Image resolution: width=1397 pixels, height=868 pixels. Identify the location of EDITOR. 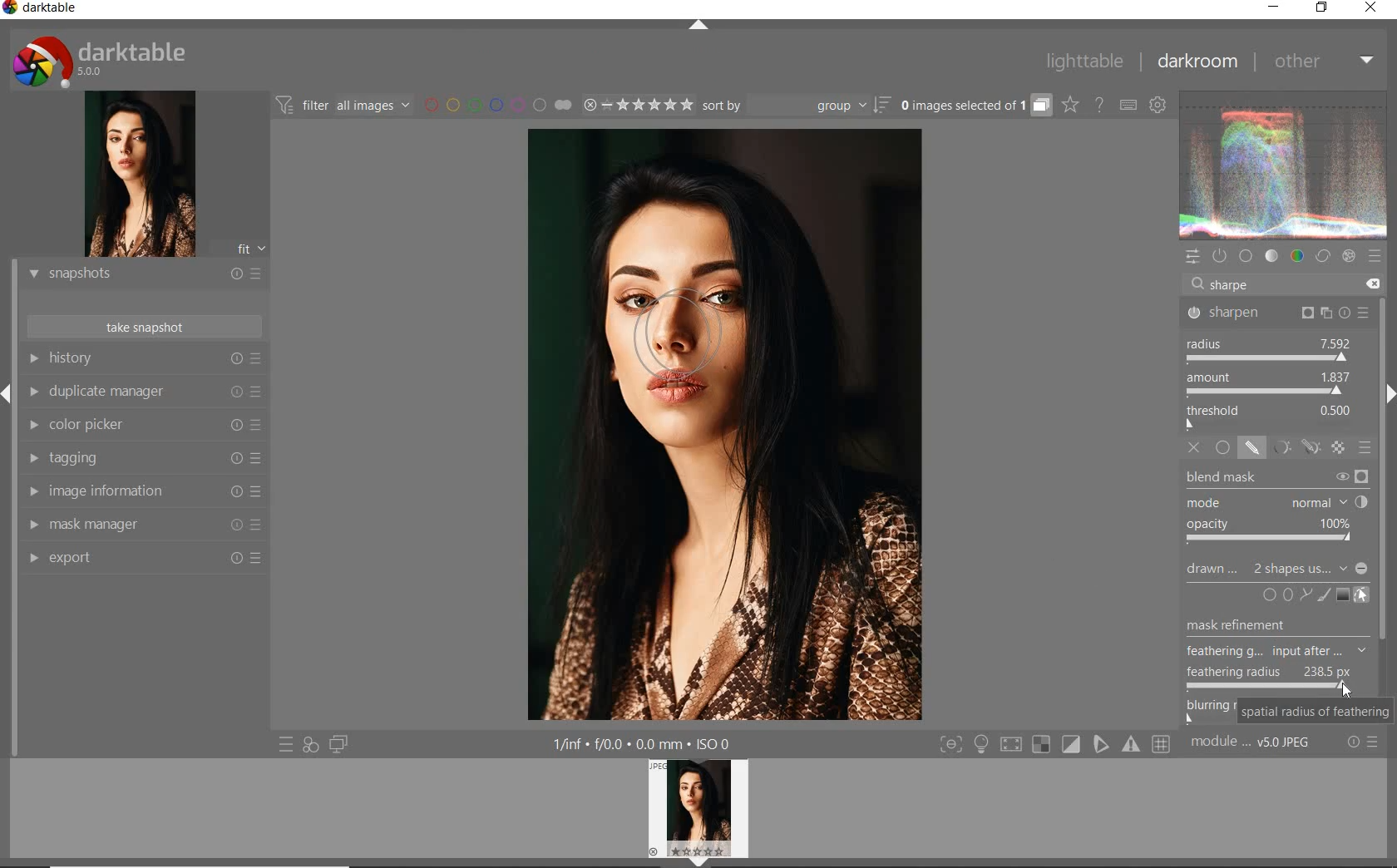
(1209, 288).